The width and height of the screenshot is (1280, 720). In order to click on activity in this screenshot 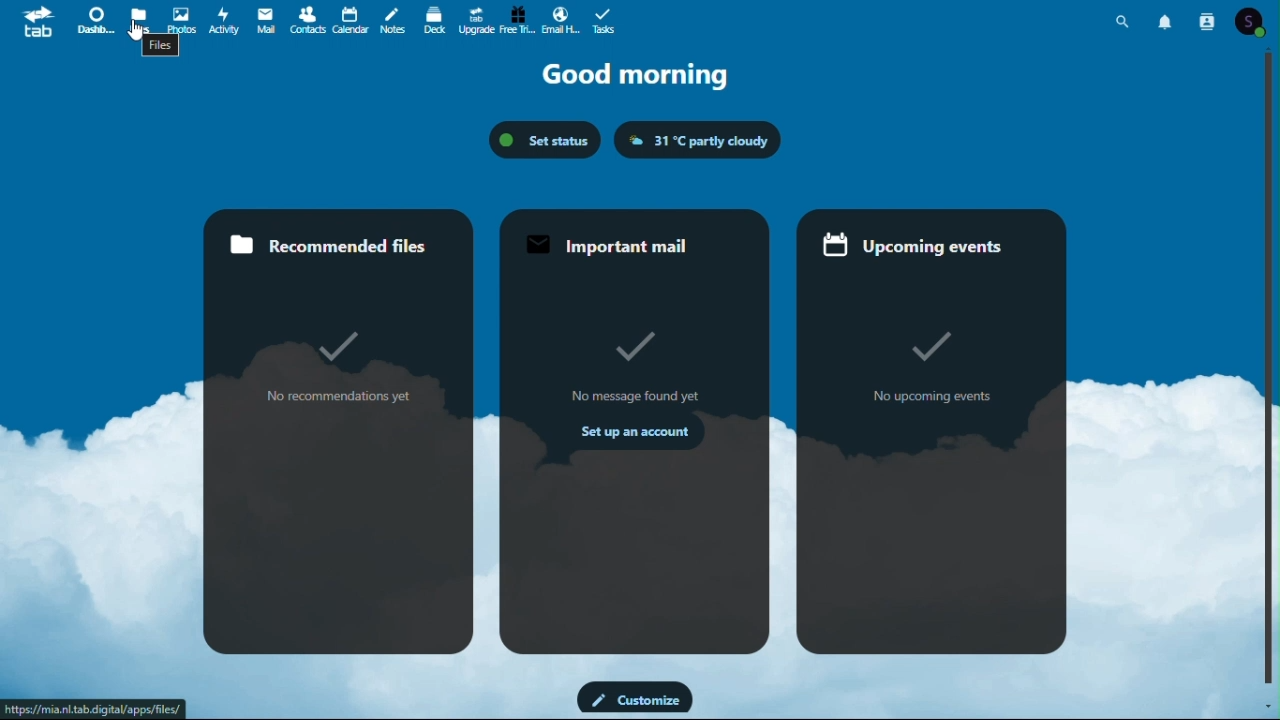, I will do `click(227, 20)`.